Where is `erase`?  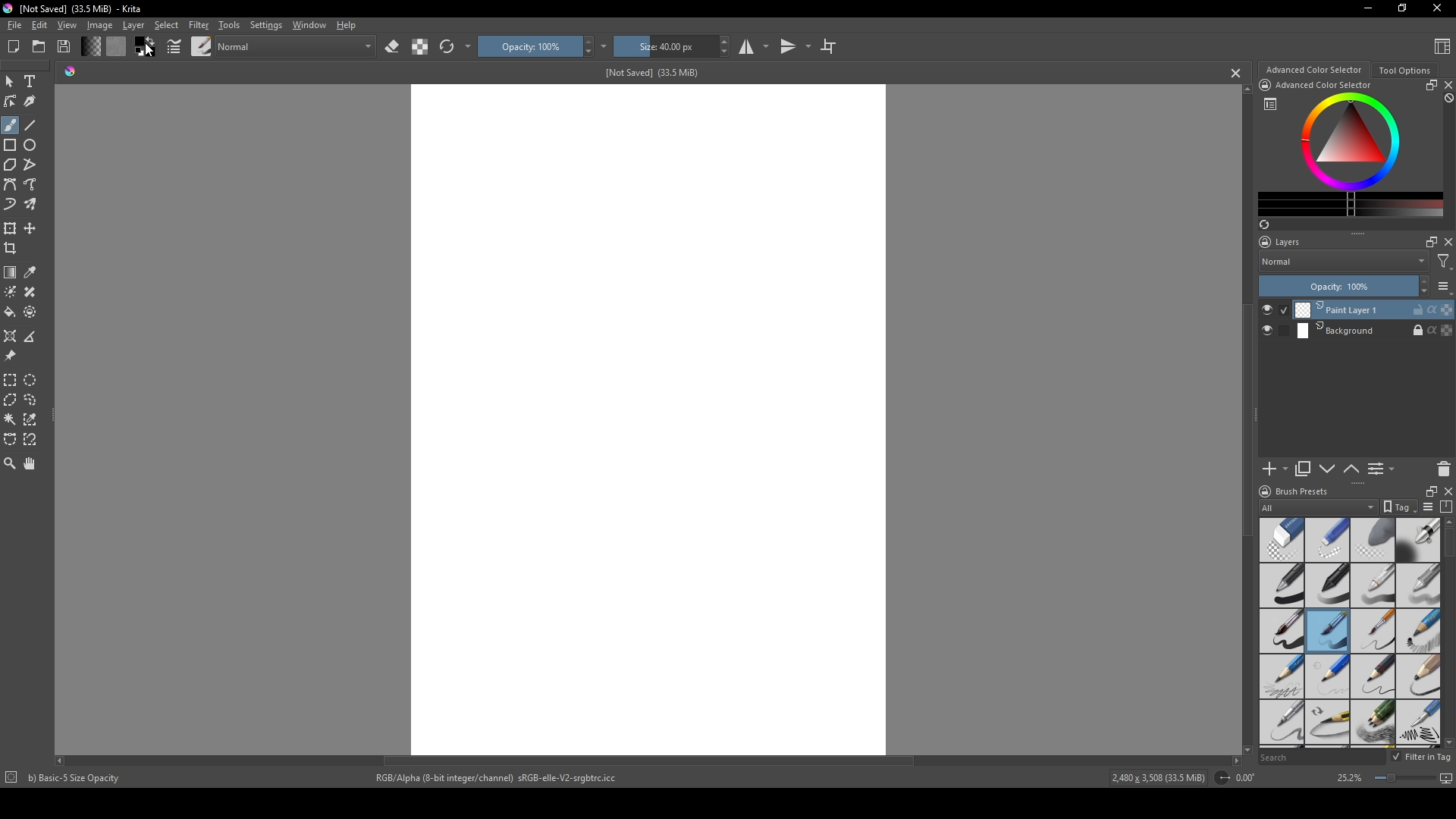
erase is located at coordinates (393, 47).